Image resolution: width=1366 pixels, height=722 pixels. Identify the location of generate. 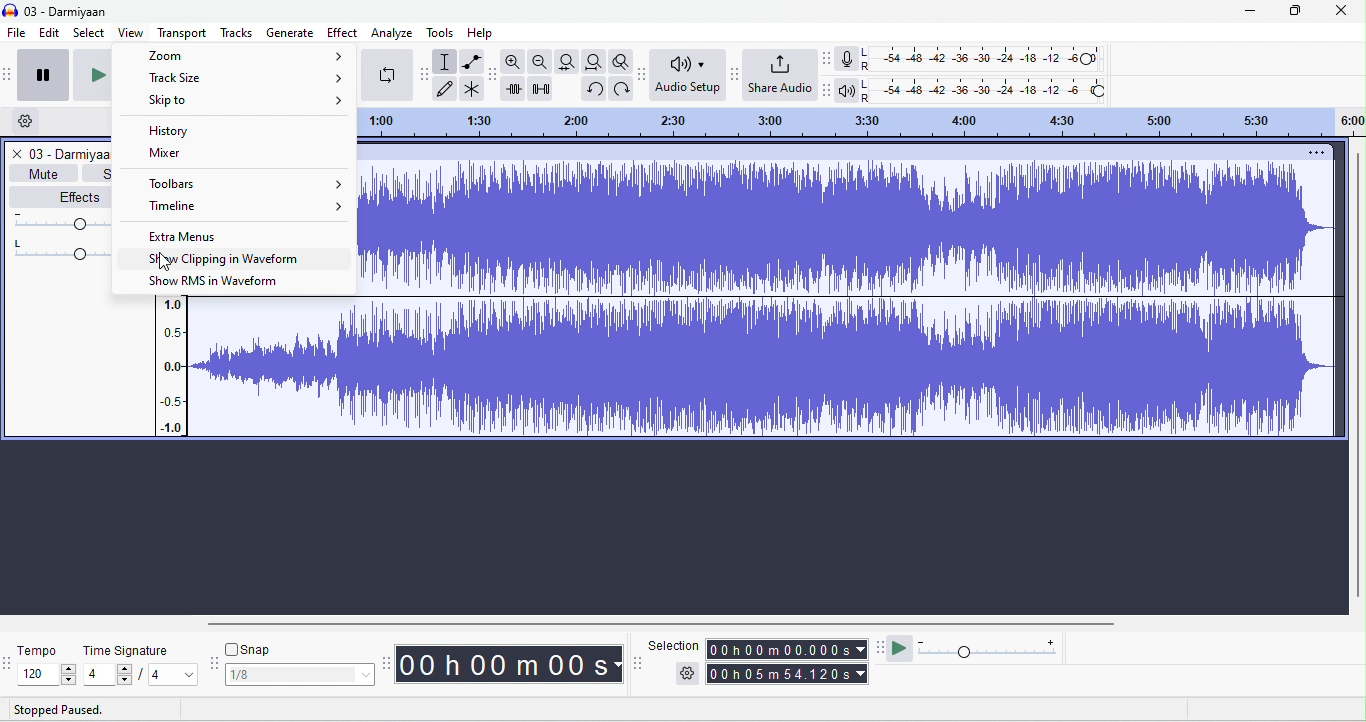
(290, 31).